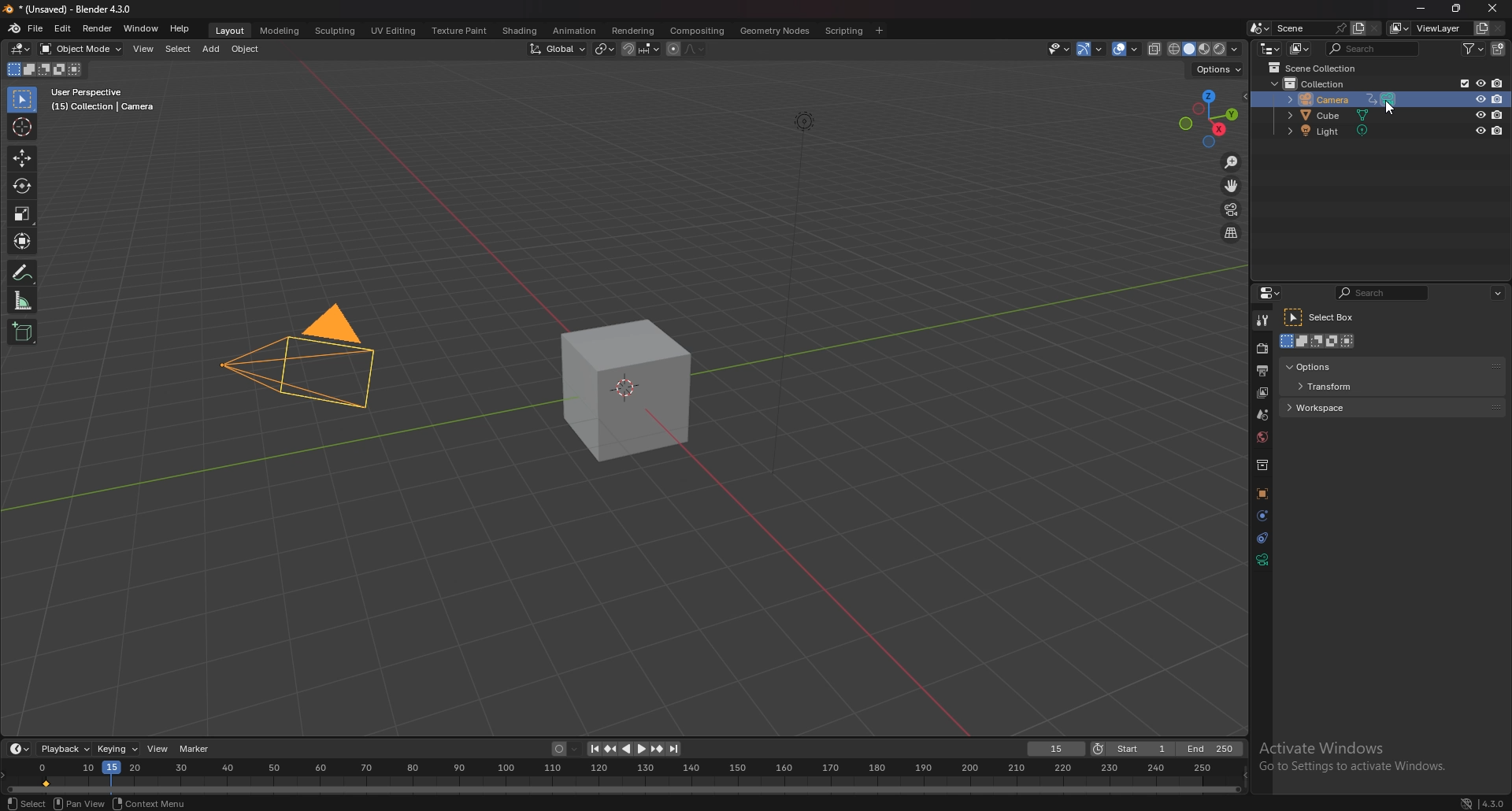  I want to click on world, so click(1263, 438).